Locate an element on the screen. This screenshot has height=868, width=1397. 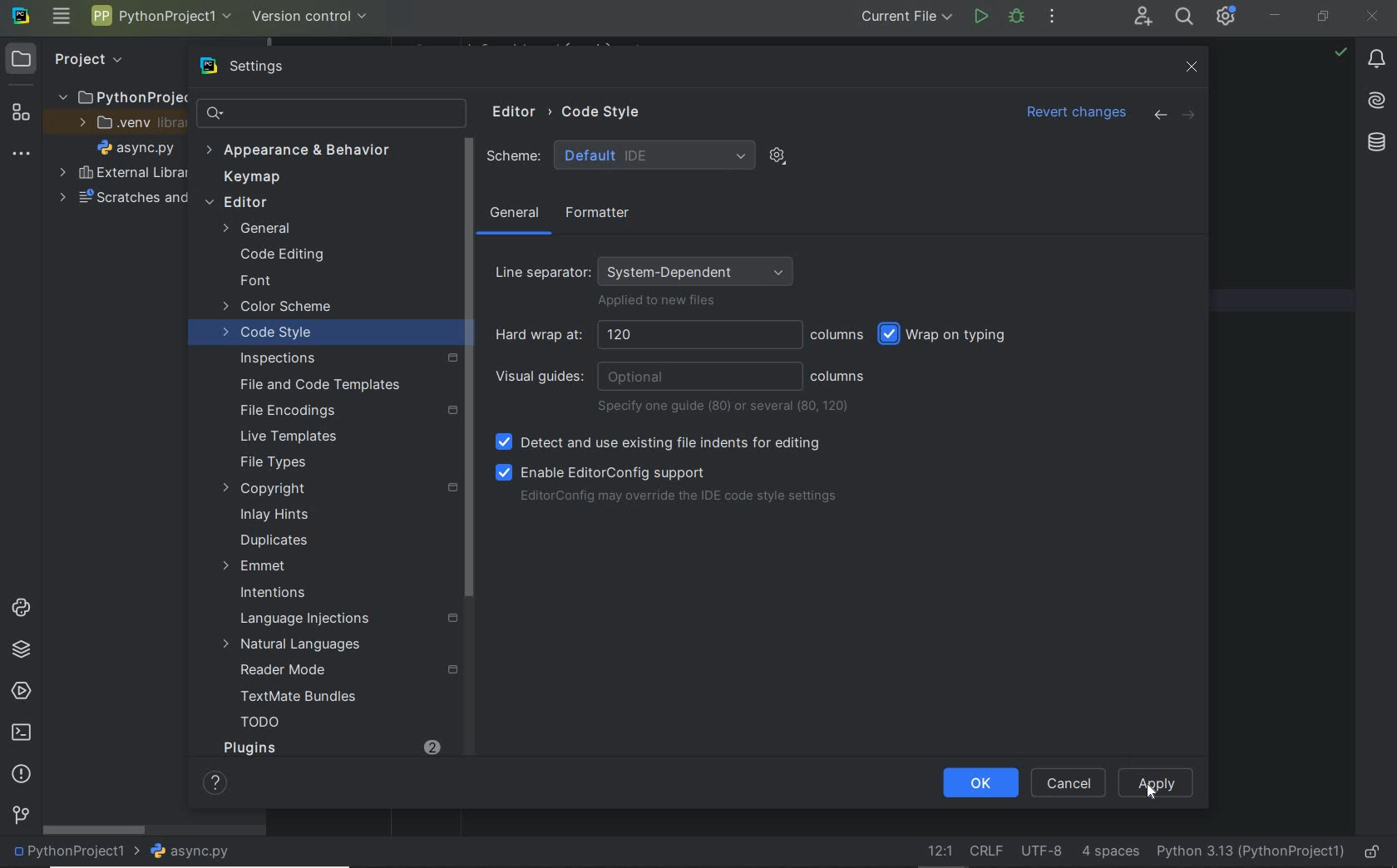
Enable EditorConfig support is located at coordinates (601, 471).